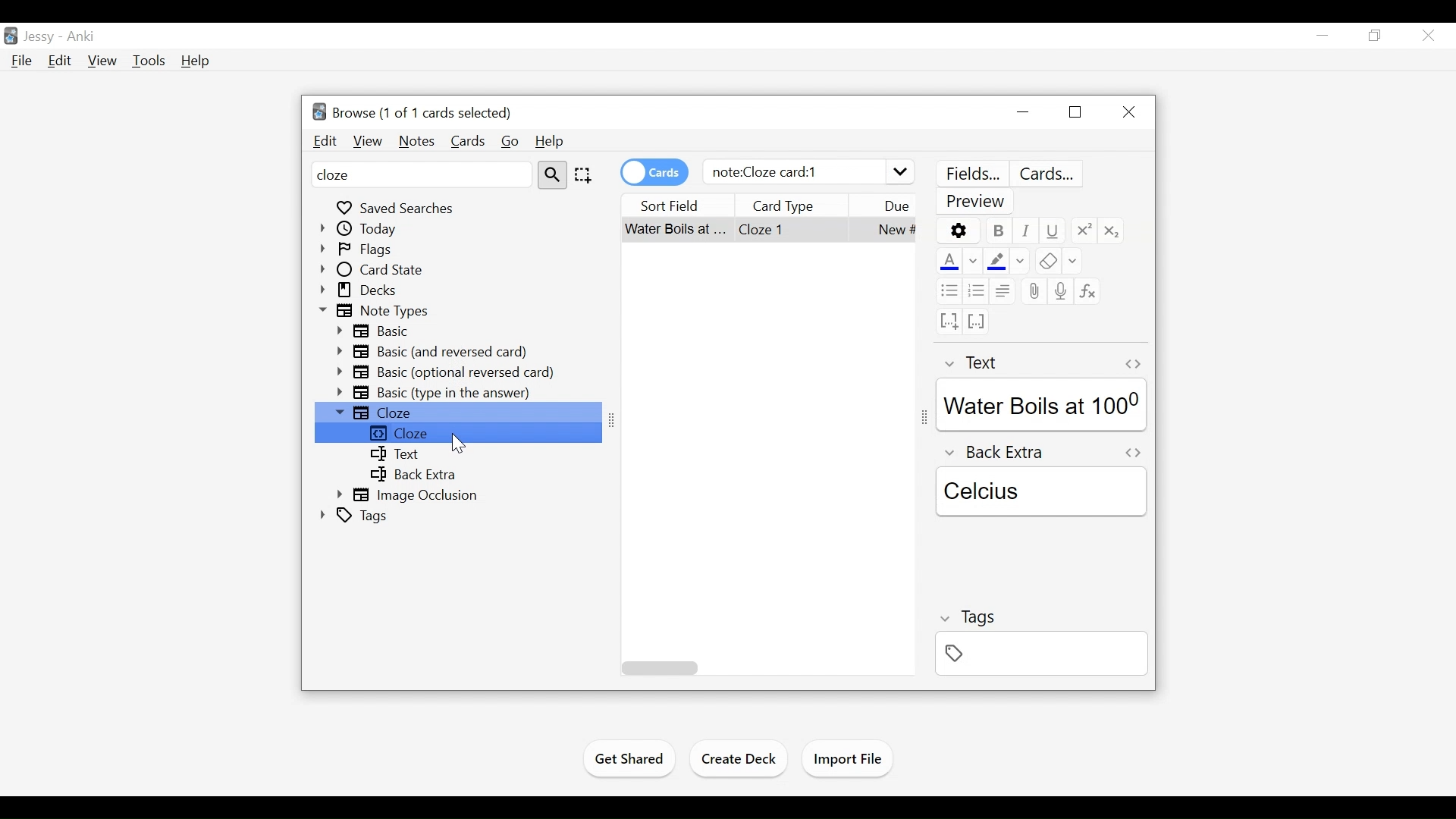  What do you see at coordinates (416, 140) in the screenshot?
I see `Notes` at bounding box center [416, 140].